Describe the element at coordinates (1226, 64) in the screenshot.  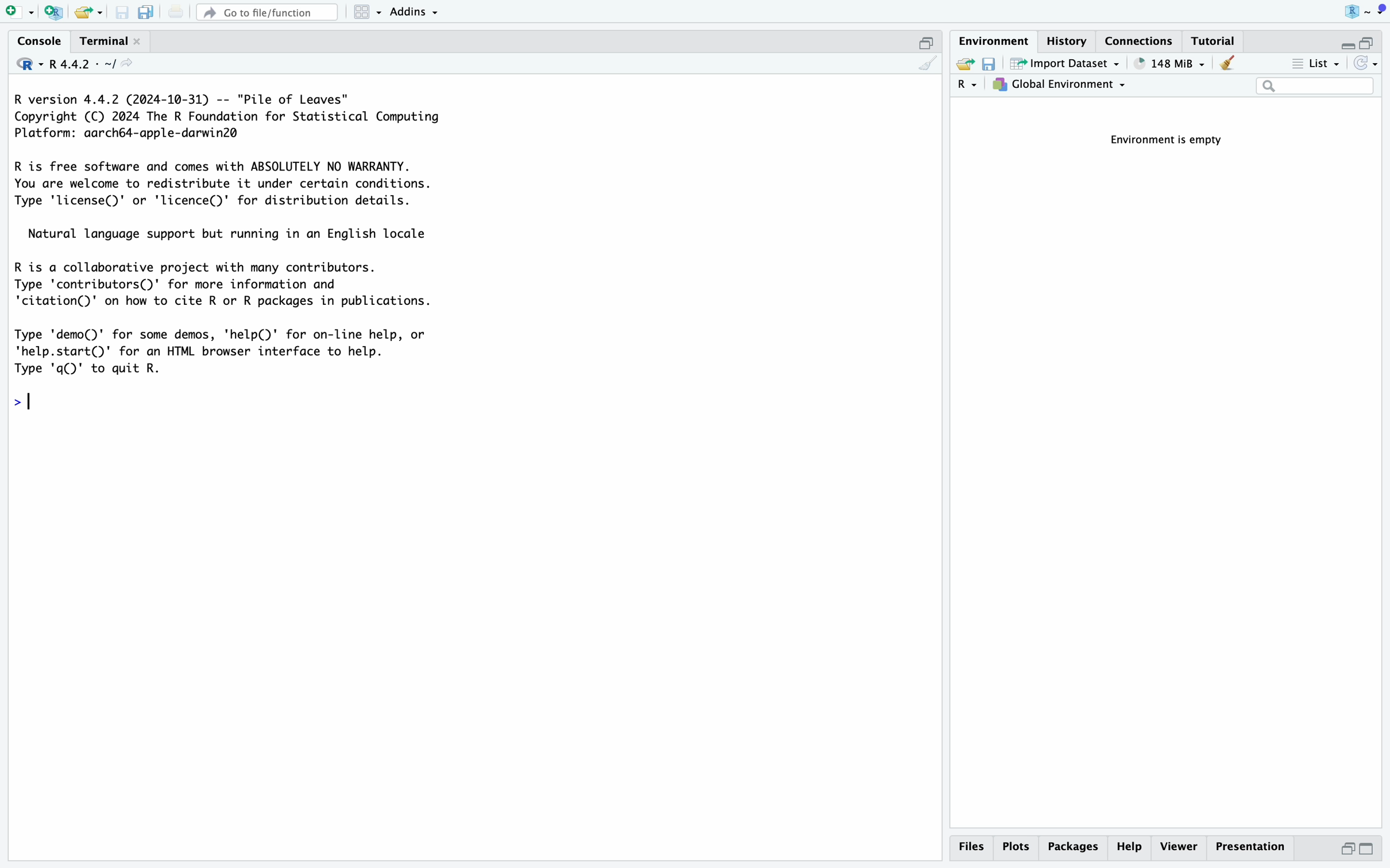
I see `clear objects from the workspace` at that location.